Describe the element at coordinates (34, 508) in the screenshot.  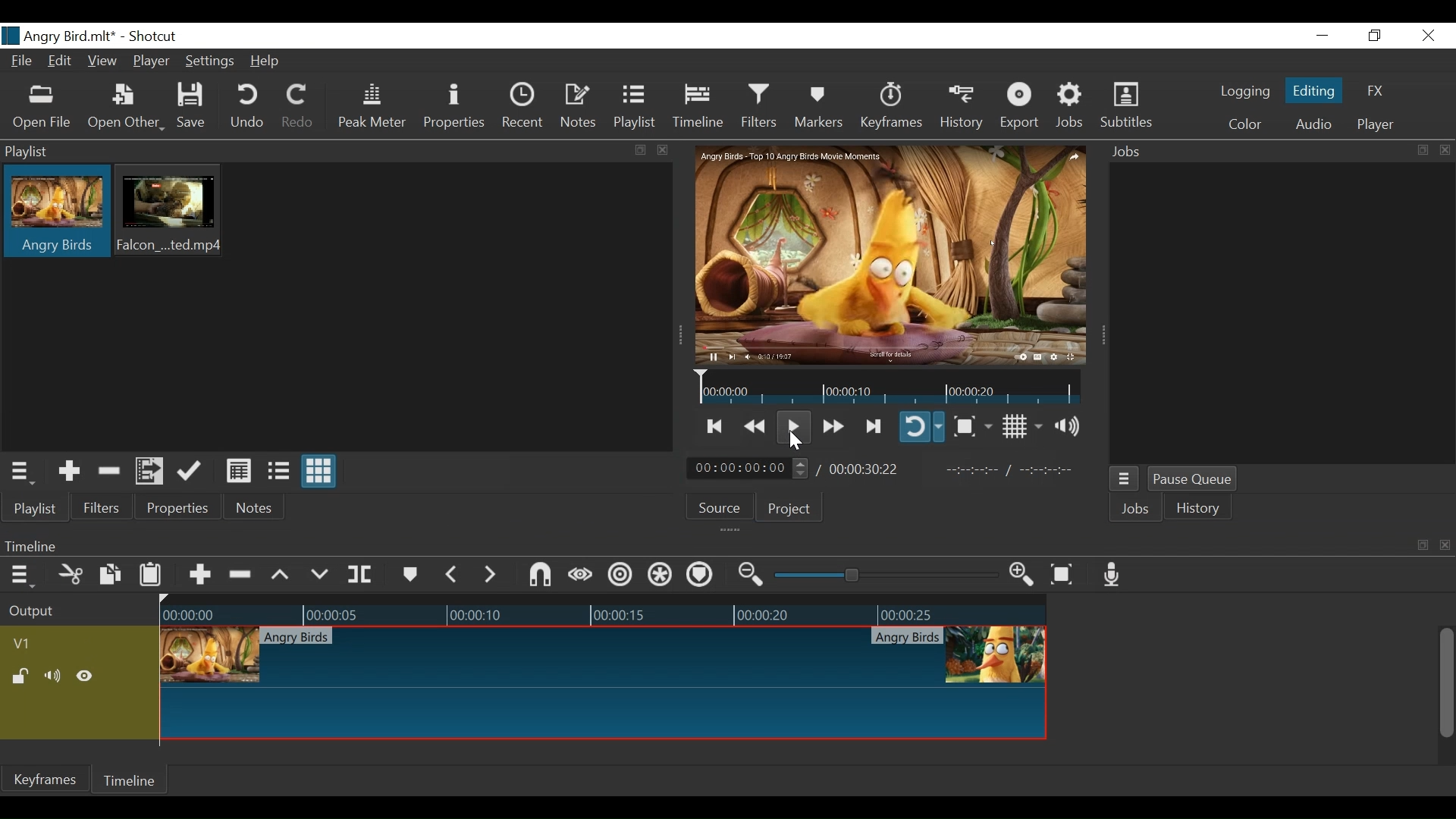
I see `Playlist ` at that location.